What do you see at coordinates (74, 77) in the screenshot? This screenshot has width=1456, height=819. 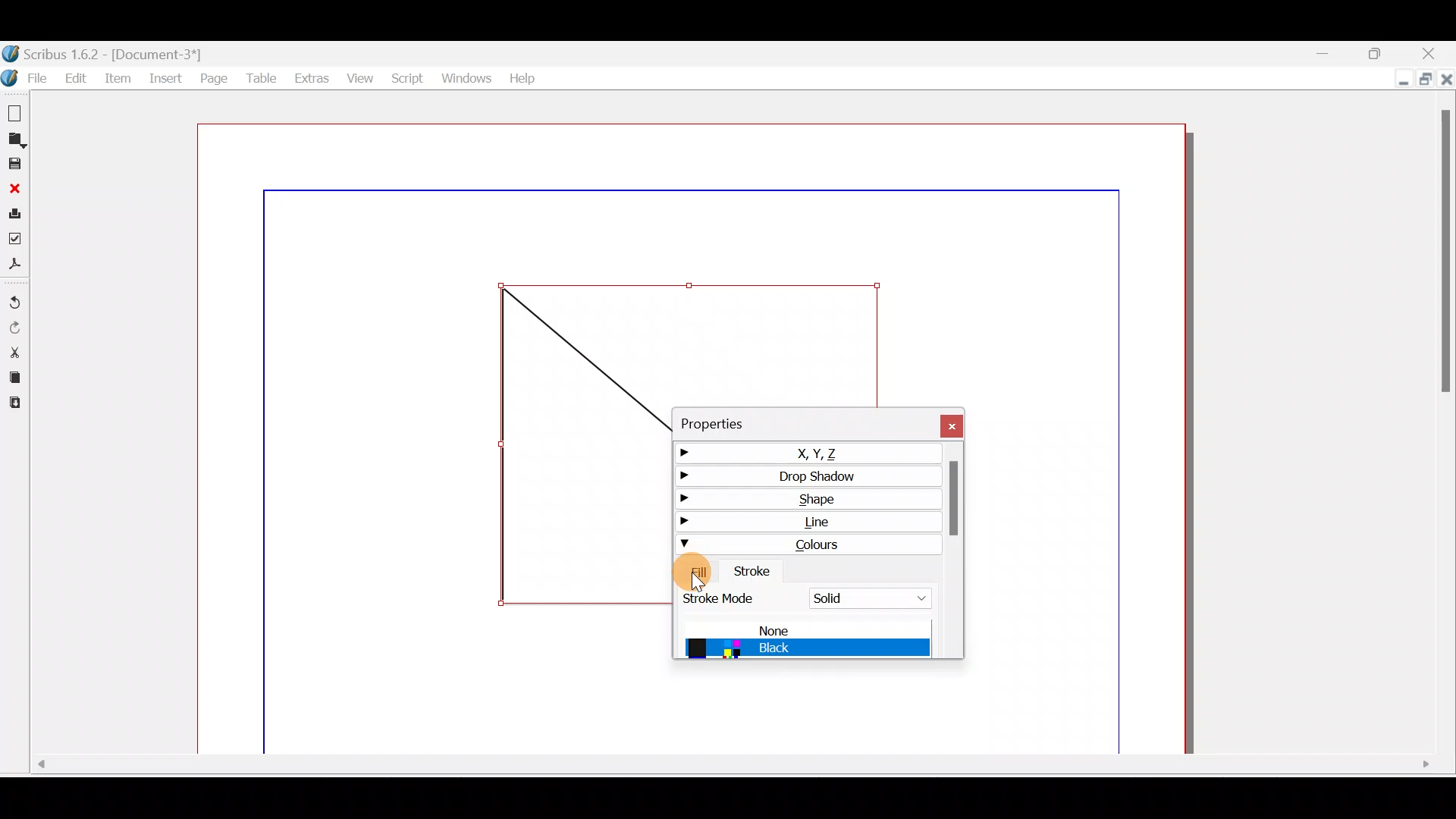 I see `Edit` at bounding box center [74, 77].